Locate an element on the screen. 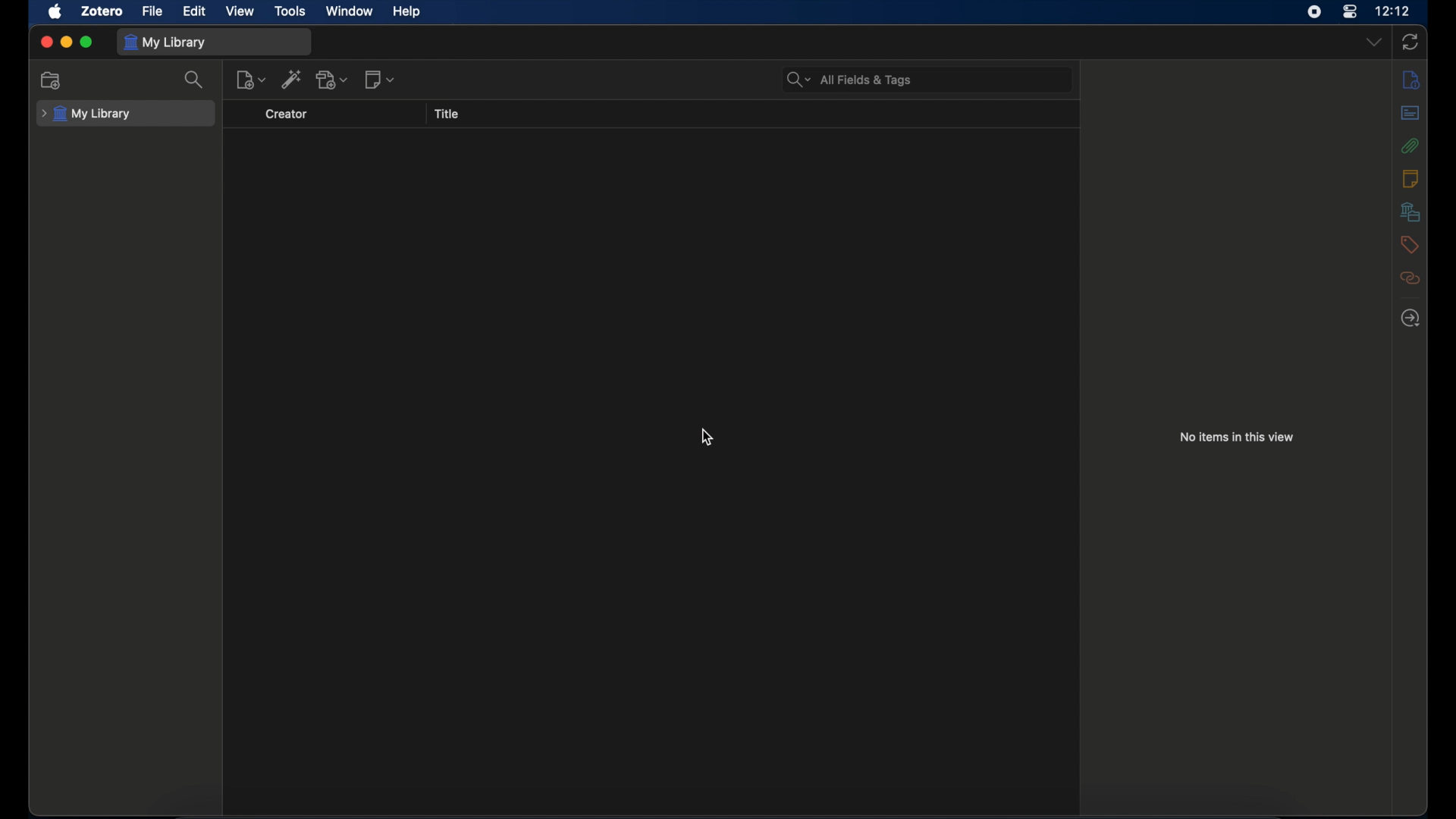  maximize is located at coordinates (86, 42).